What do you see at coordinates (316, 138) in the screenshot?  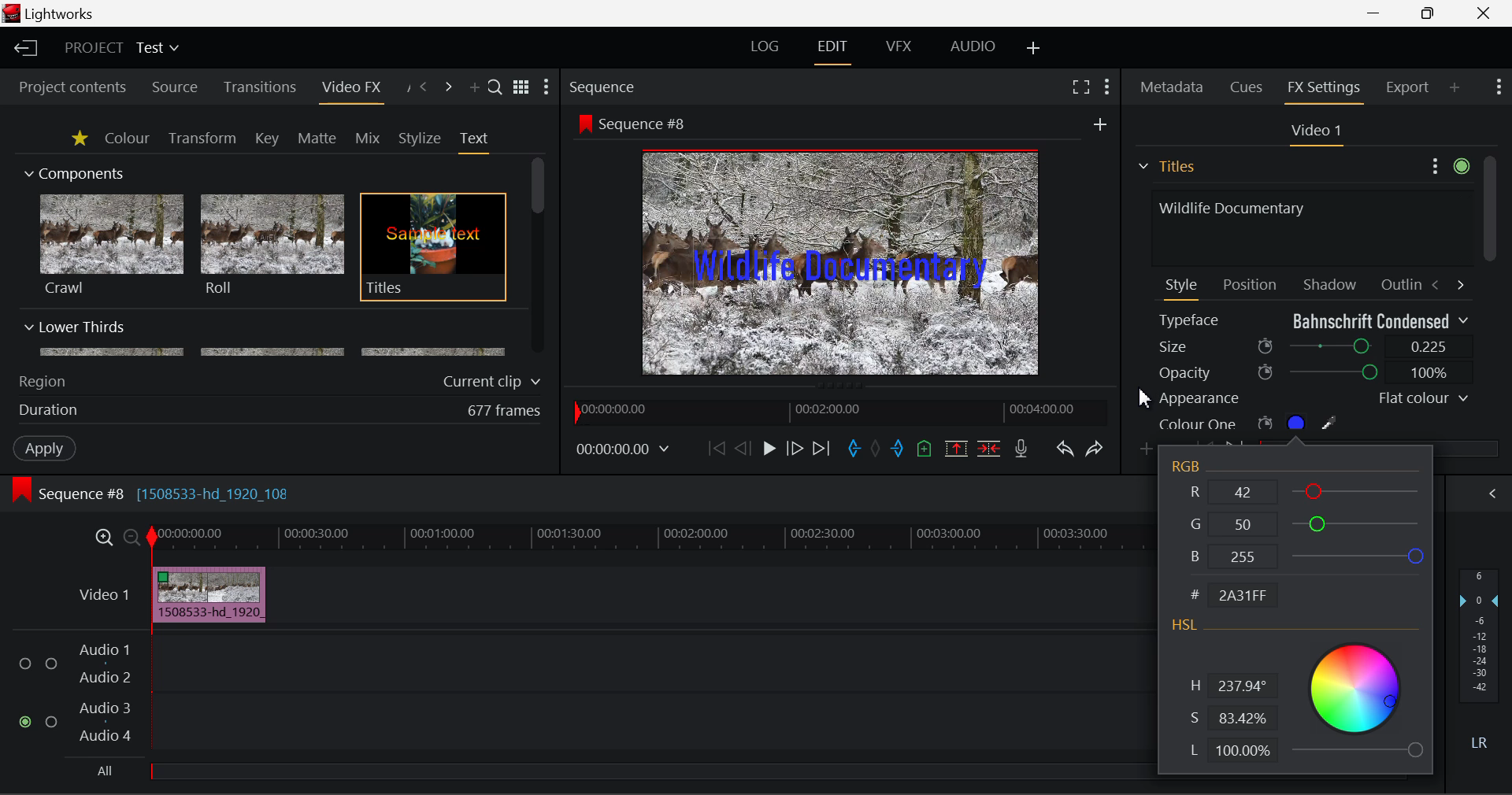 I see `Matte` at bounding box center [316, 138].